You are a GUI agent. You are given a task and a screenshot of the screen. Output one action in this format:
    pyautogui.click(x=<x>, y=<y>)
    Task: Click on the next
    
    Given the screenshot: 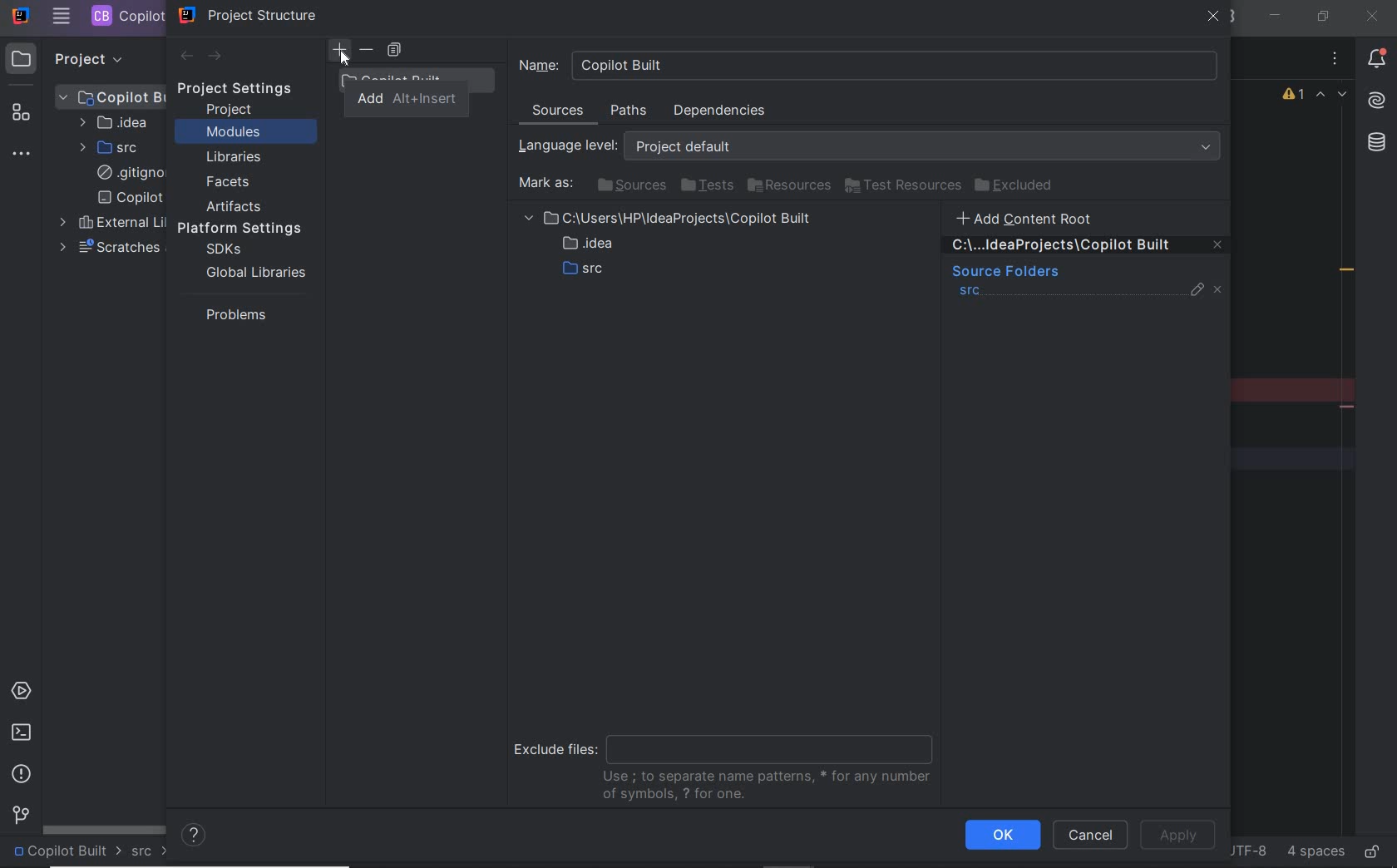 What is the action you would take?
    pyautogui.click(x=216, y=57)
    